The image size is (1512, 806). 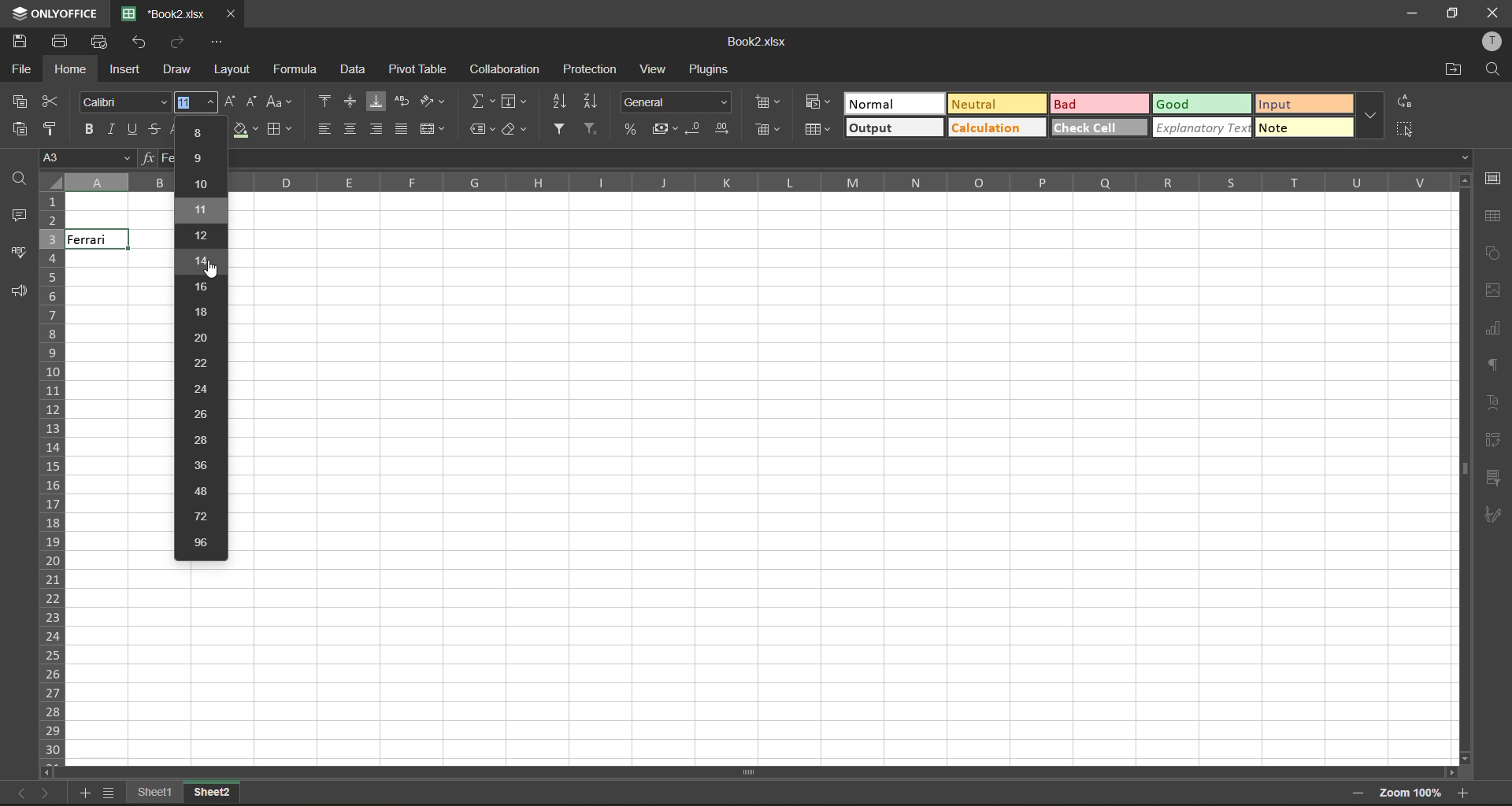 What do you see at coordinates (57, 128) in the screenshot?
I see `copy style` at bounding box center [57, 128].